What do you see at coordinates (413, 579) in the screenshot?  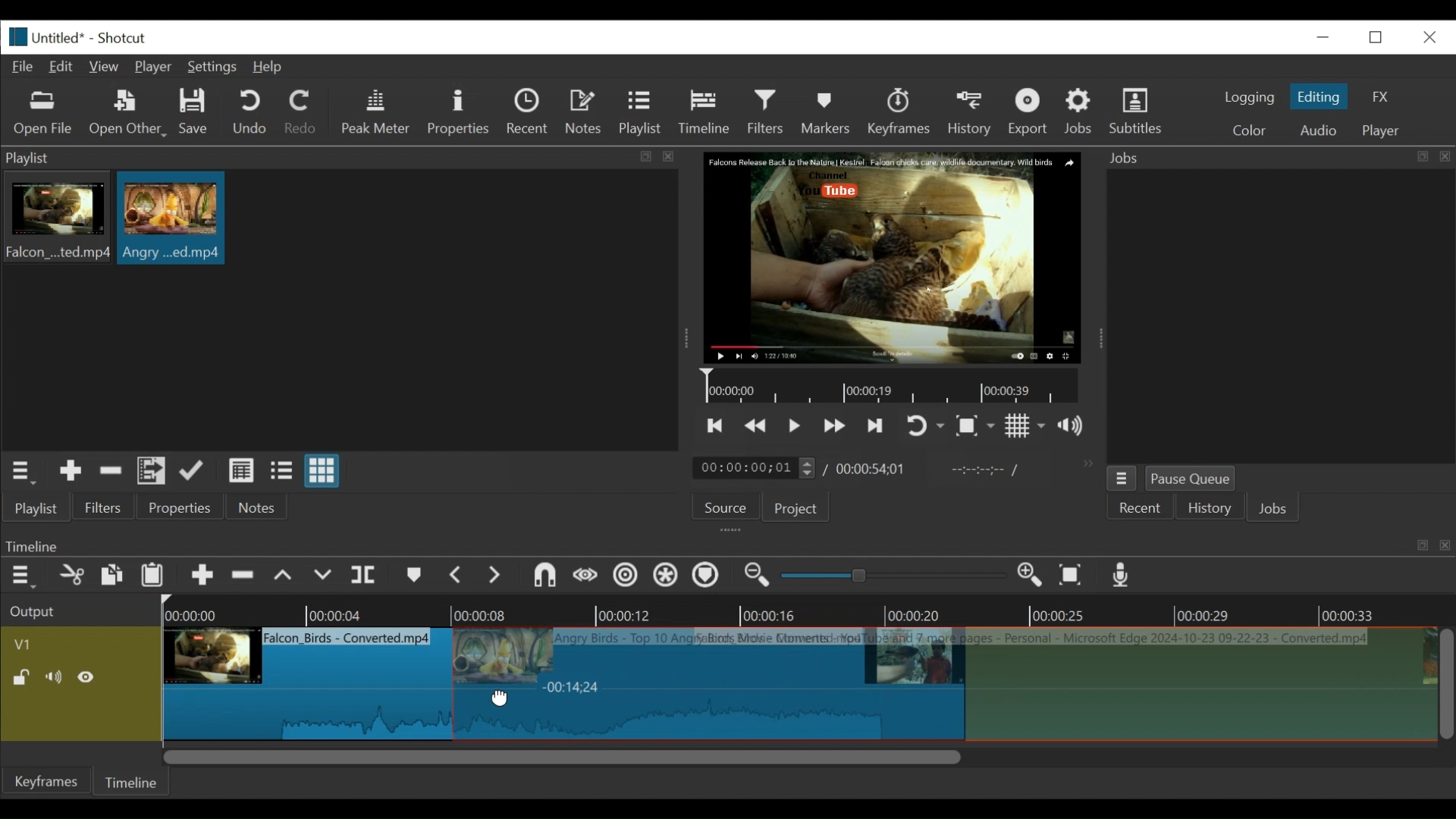 I see `markers` at bounding box center [413, 579].